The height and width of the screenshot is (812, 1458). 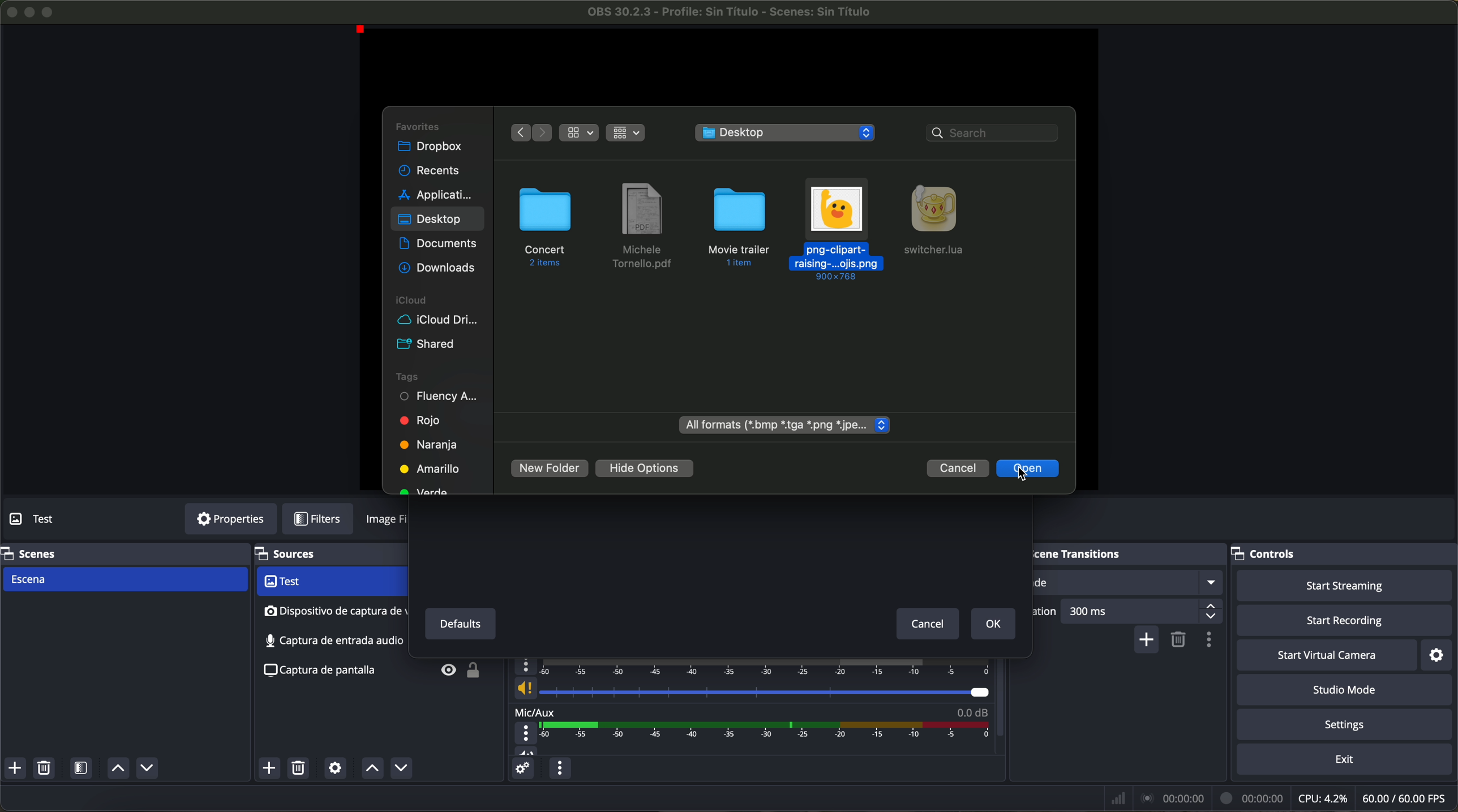 What do you see at coordinates (644, 469) in the screenshot?
I see `hide options` at bounding box center [644, 469].